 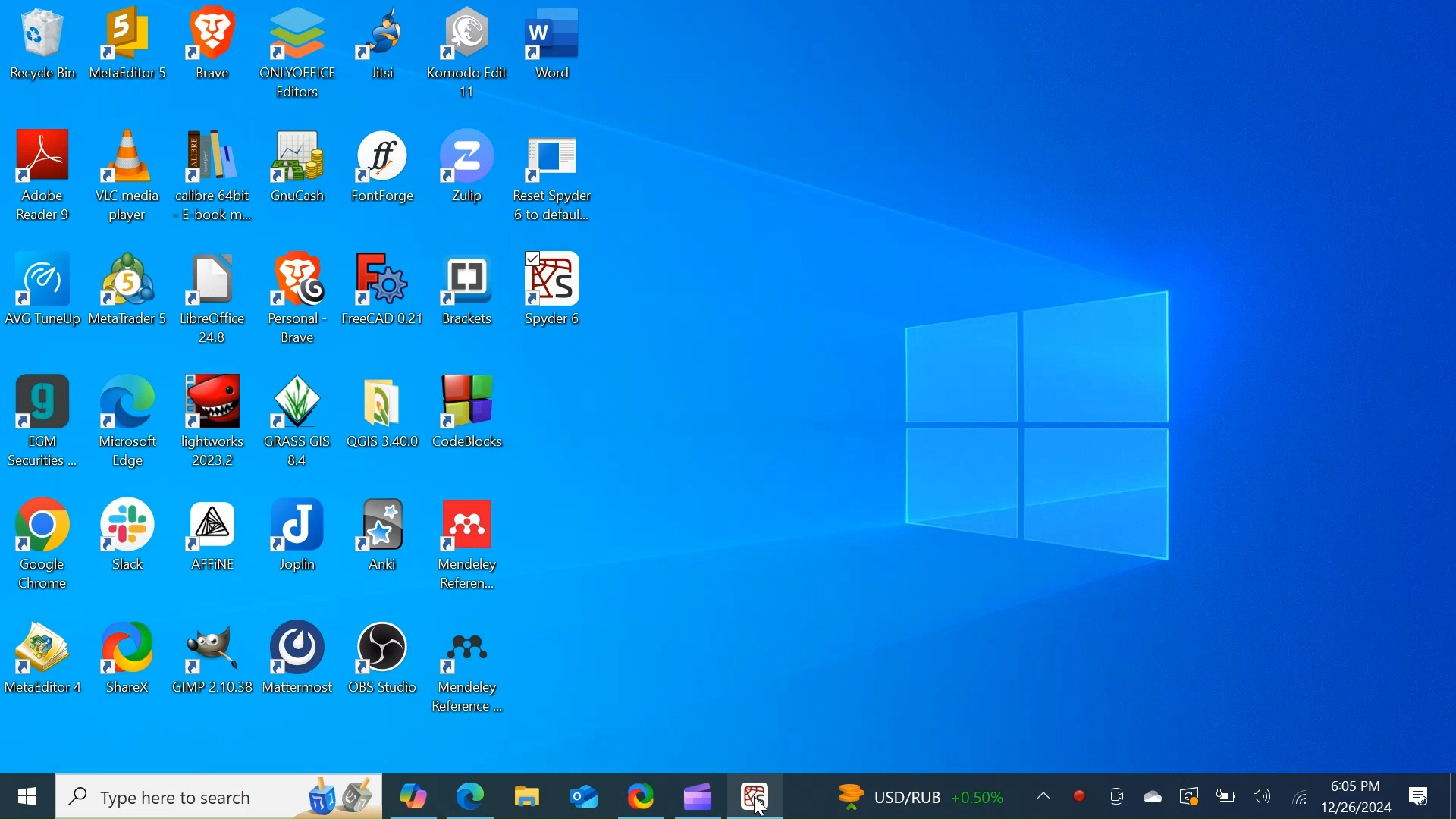 I want to click on OBS Studios Desktop Icon, so click(x=383, y=664).